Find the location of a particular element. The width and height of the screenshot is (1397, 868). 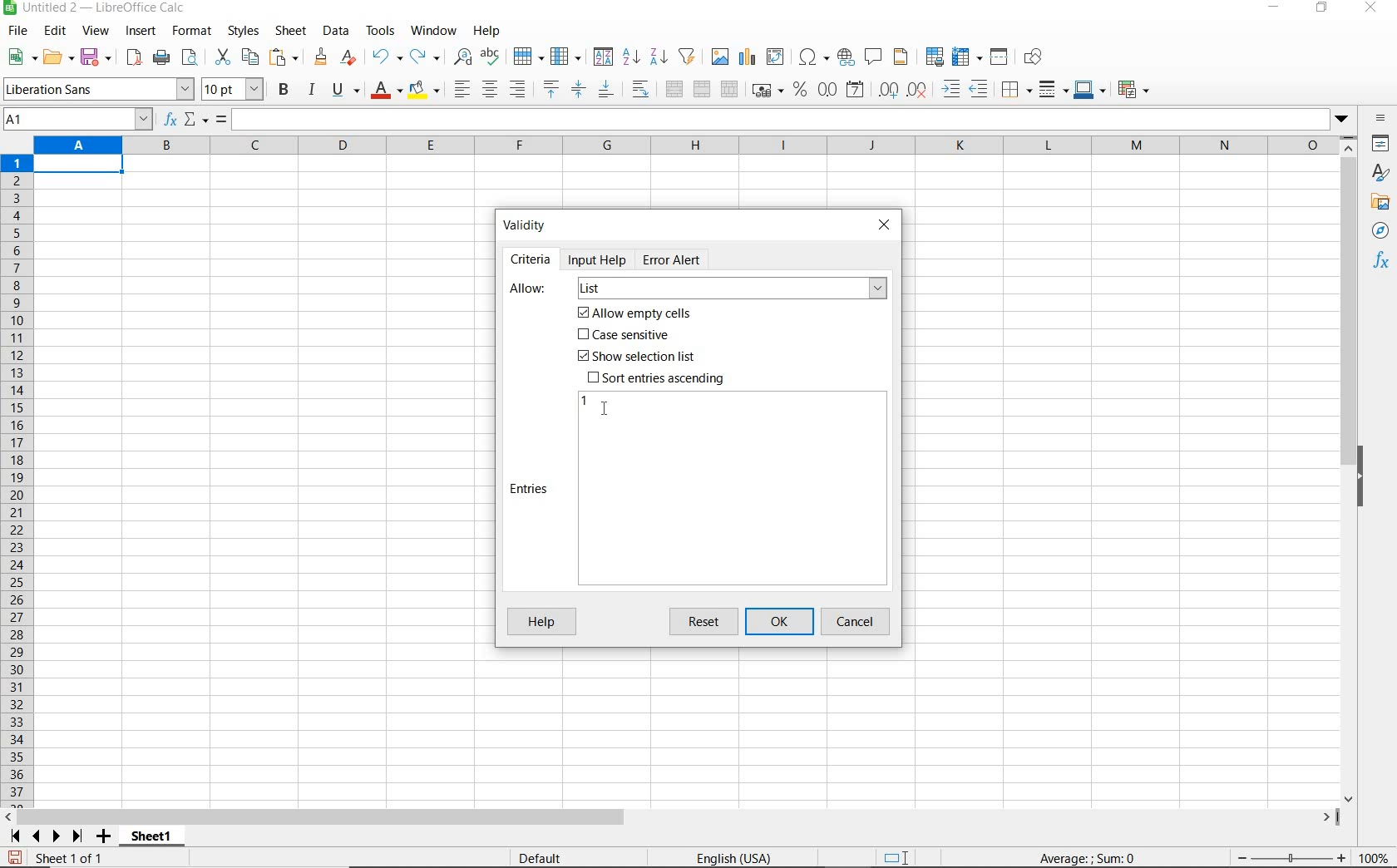

reset is located at coordinates (707, 622).